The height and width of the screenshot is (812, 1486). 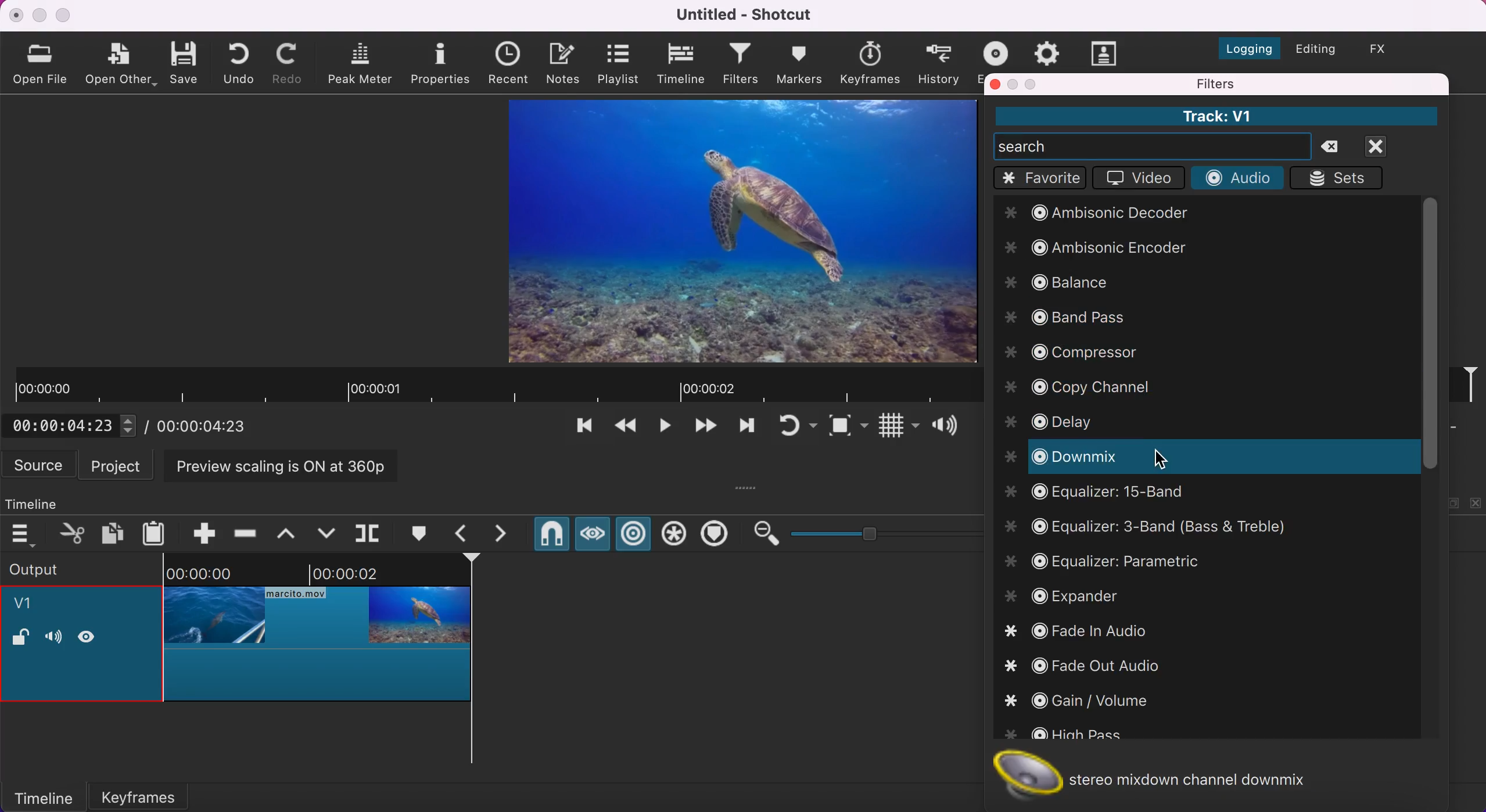 I want to click on play quickly forwards, so click(x=745, y=429).